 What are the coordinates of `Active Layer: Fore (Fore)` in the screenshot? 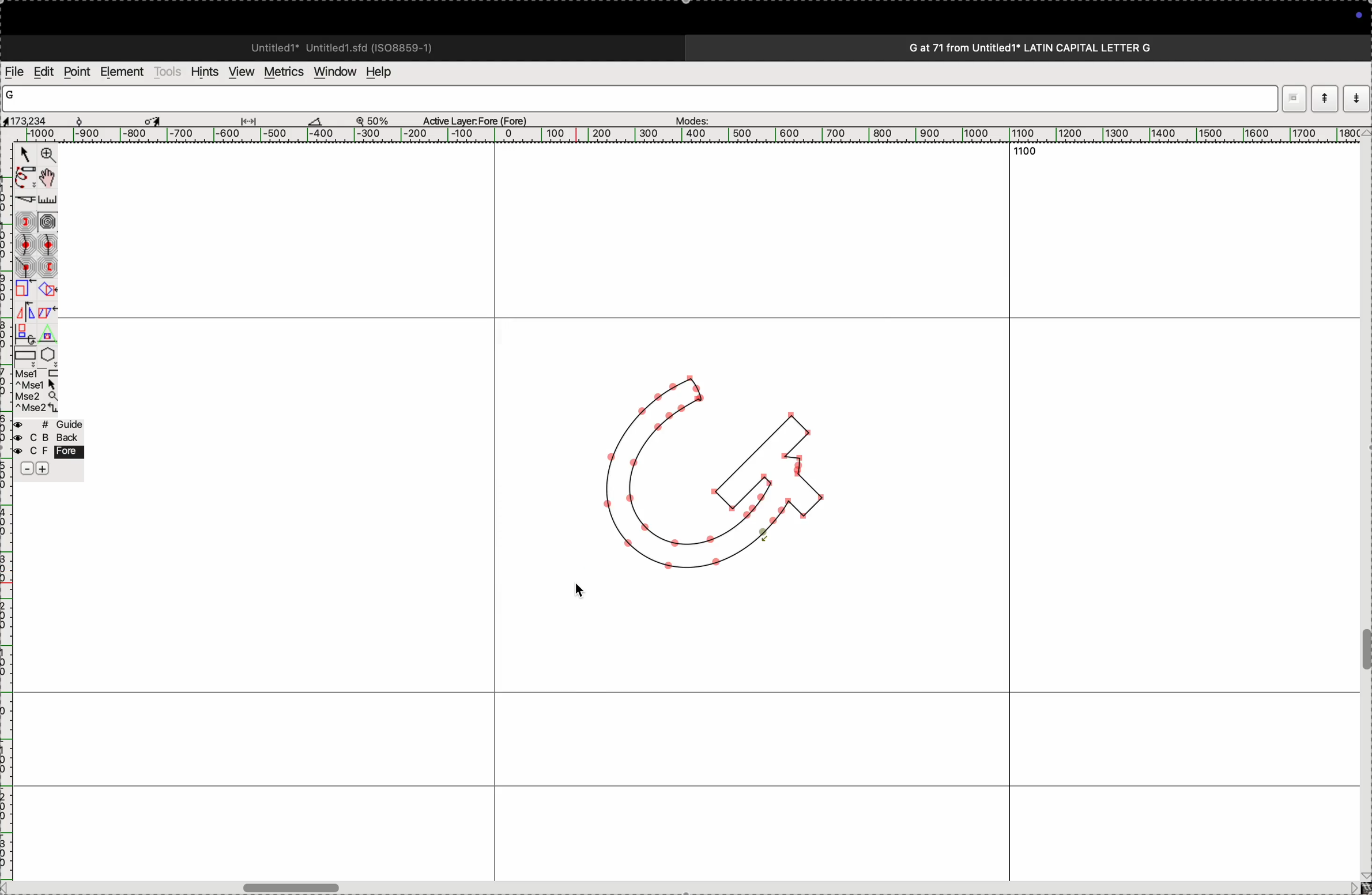 It's located at (469, 121).